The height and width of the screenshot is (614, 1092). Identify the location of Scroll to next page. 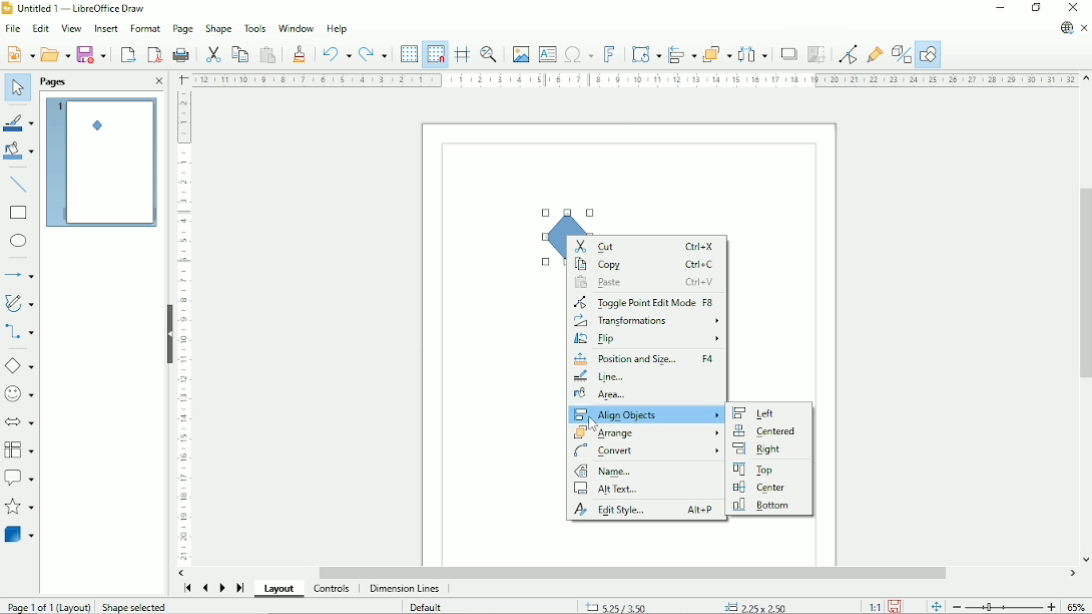
(221, 587).